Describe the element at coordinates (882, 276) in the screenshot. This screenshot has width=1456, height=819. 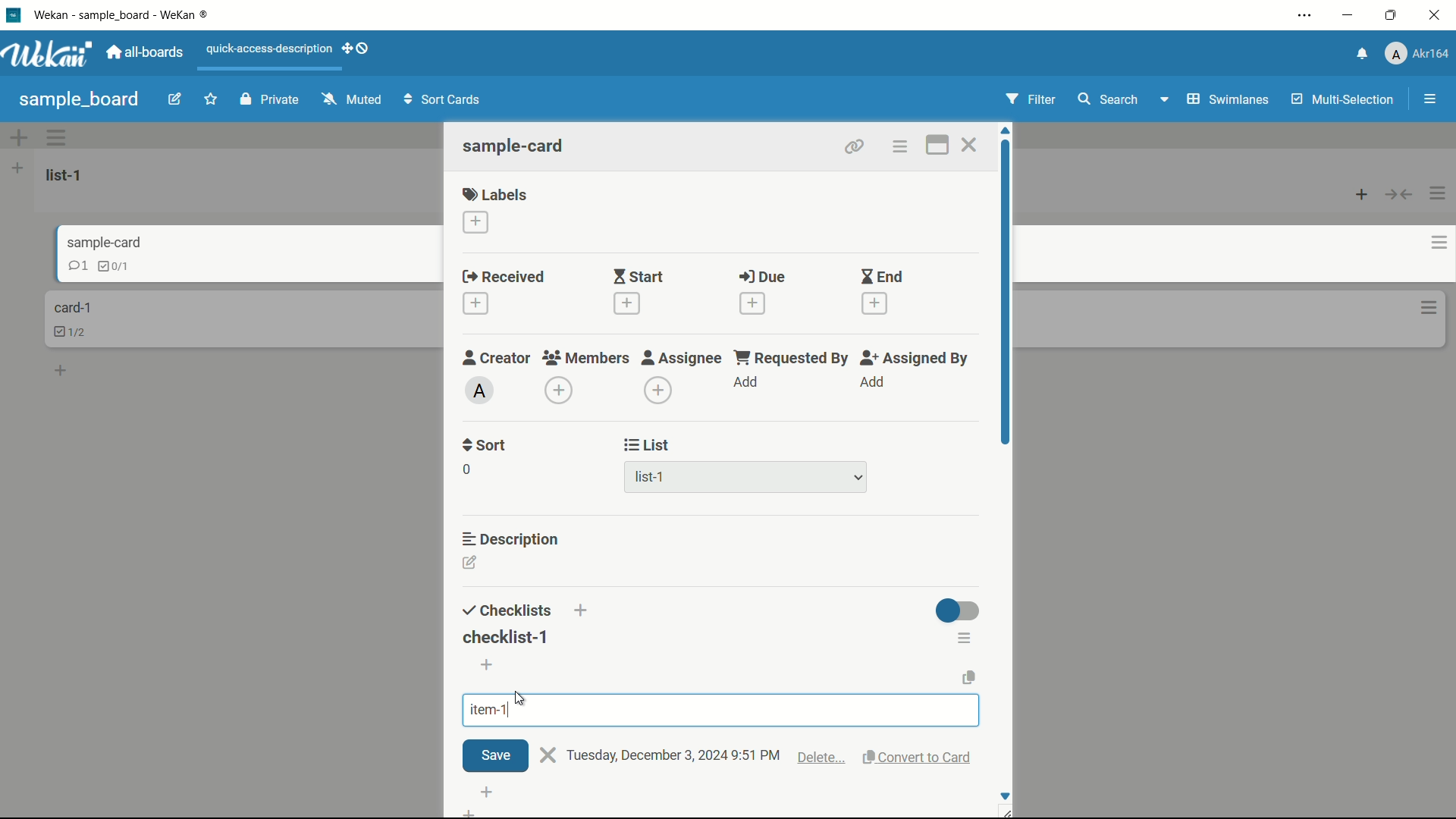
I see `end` at that location.